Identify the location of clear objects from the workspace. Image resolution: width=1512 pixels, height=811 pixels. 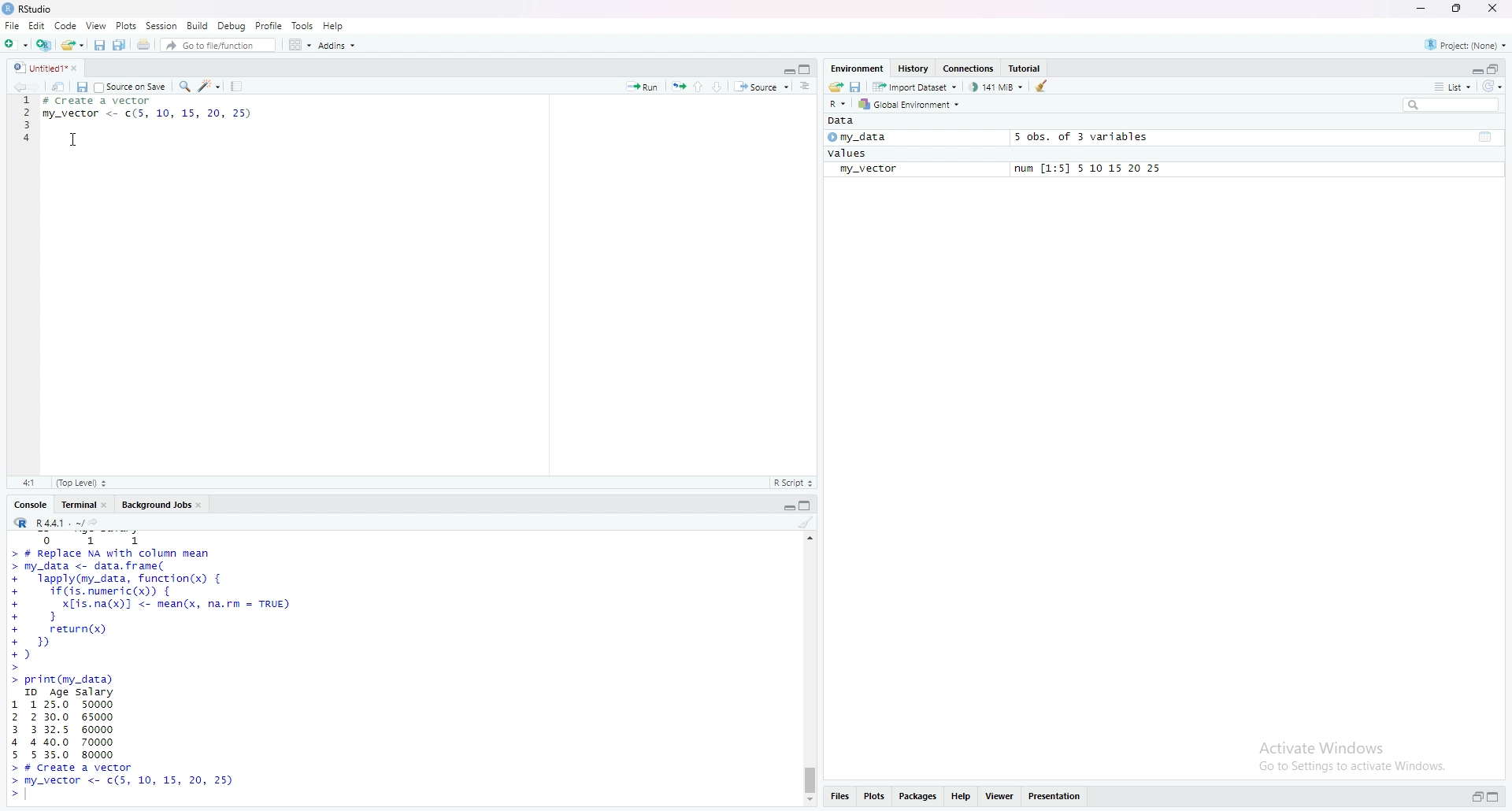
(1043, 87).